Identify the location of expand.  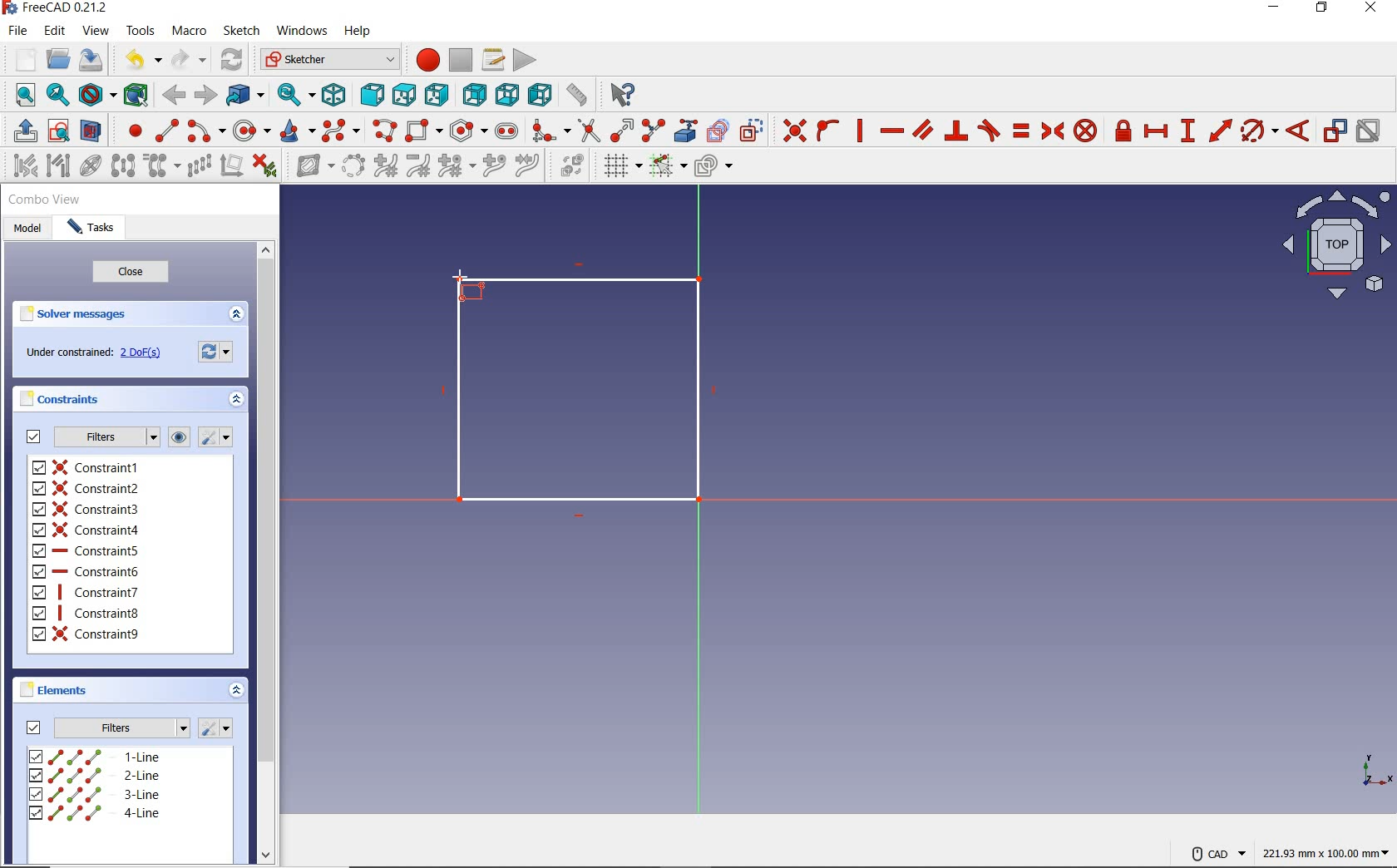
(238, 692).